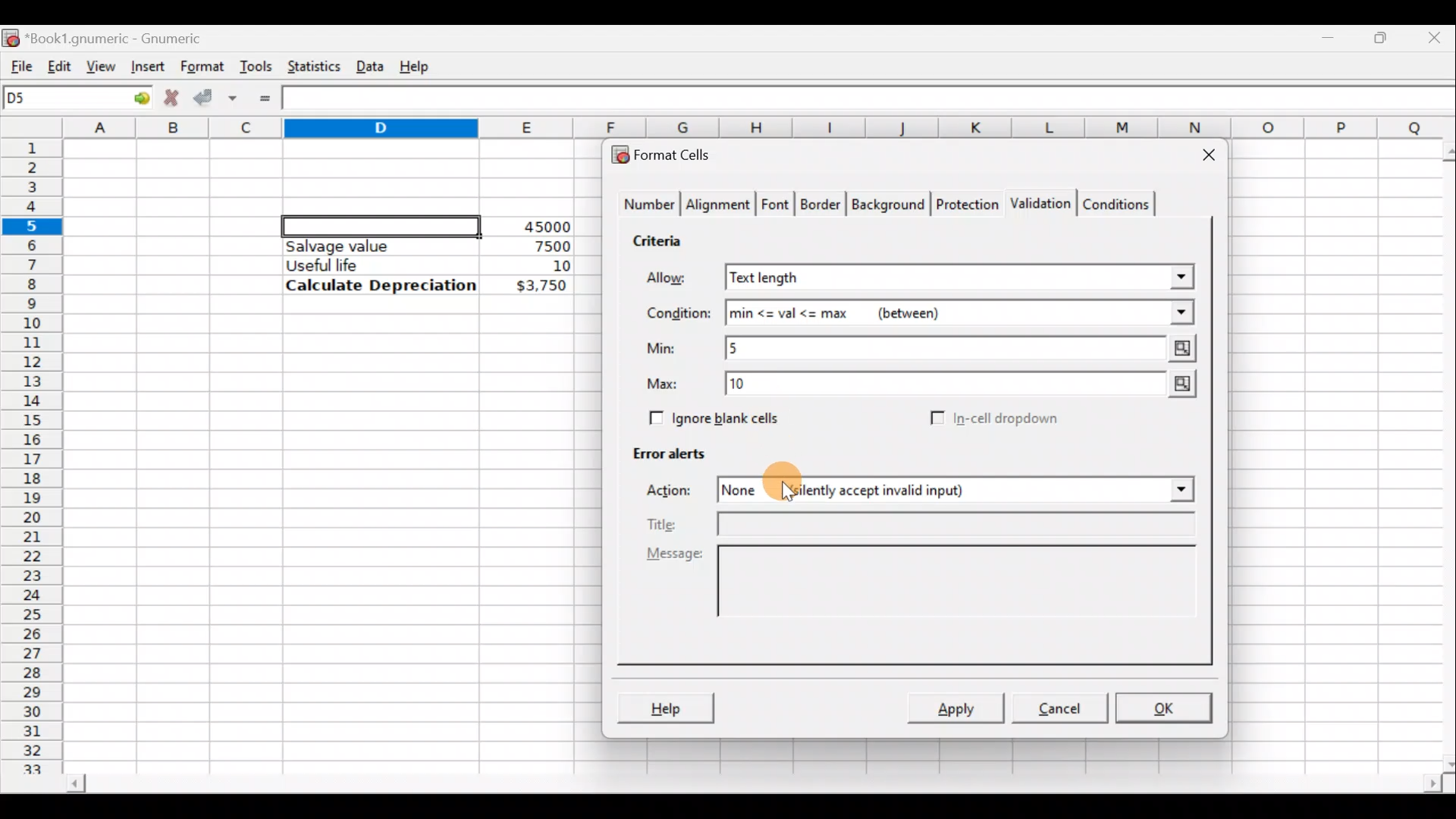 This screenshot has width=1456, height=819. What do you see at coordinates (719, 206) in the screenshot?
I see `Alignment` at bounding box center [719, 206].